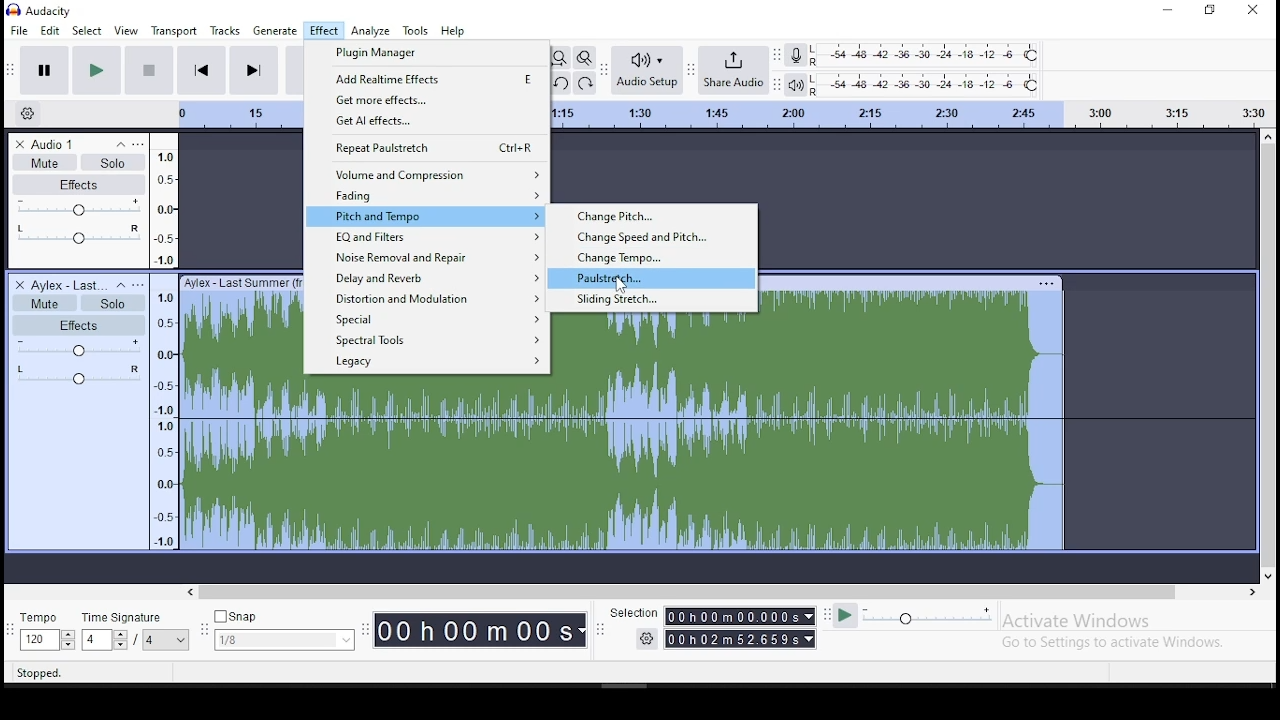 The width and height of the screenshot is (1280, 720). I want to click on effects, so click(83, 185).